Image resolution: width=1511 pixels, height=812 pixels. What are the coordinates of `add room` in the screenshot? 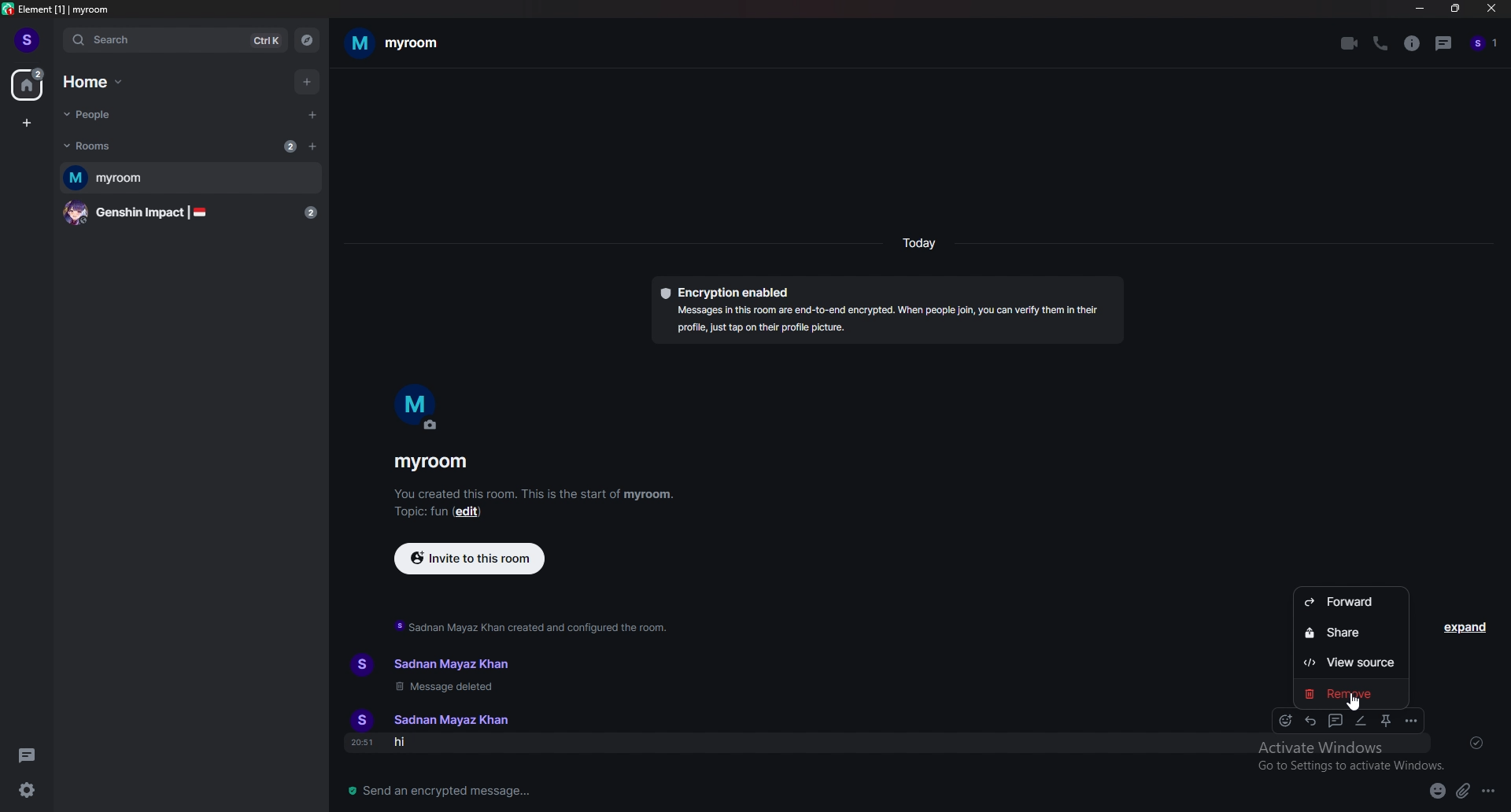 It's located at (313, 146).